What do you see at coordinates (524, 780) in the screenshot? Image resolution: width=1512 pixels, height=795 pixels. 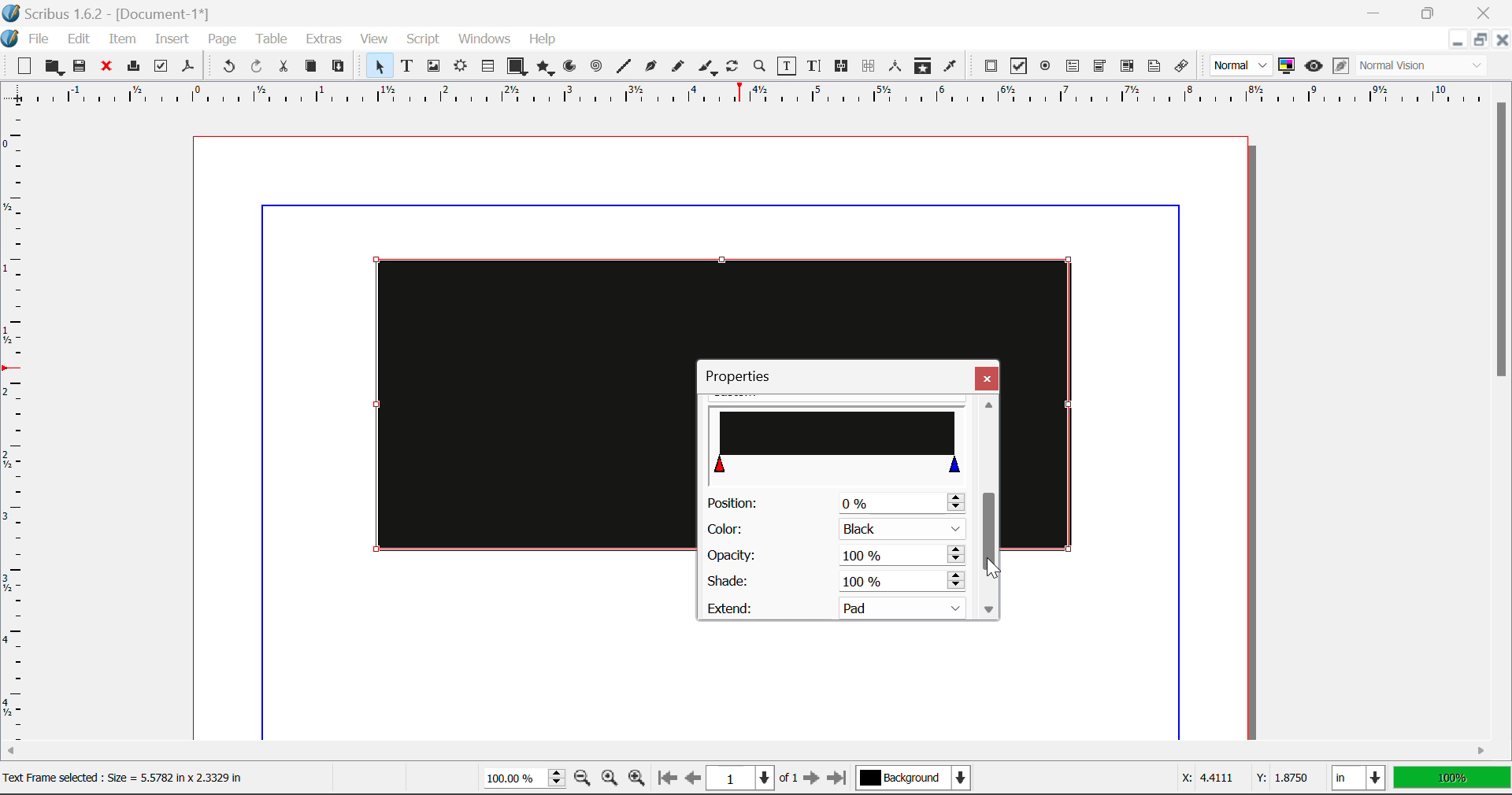 I see `Zoom 100%` at bounding box center [524, 780].